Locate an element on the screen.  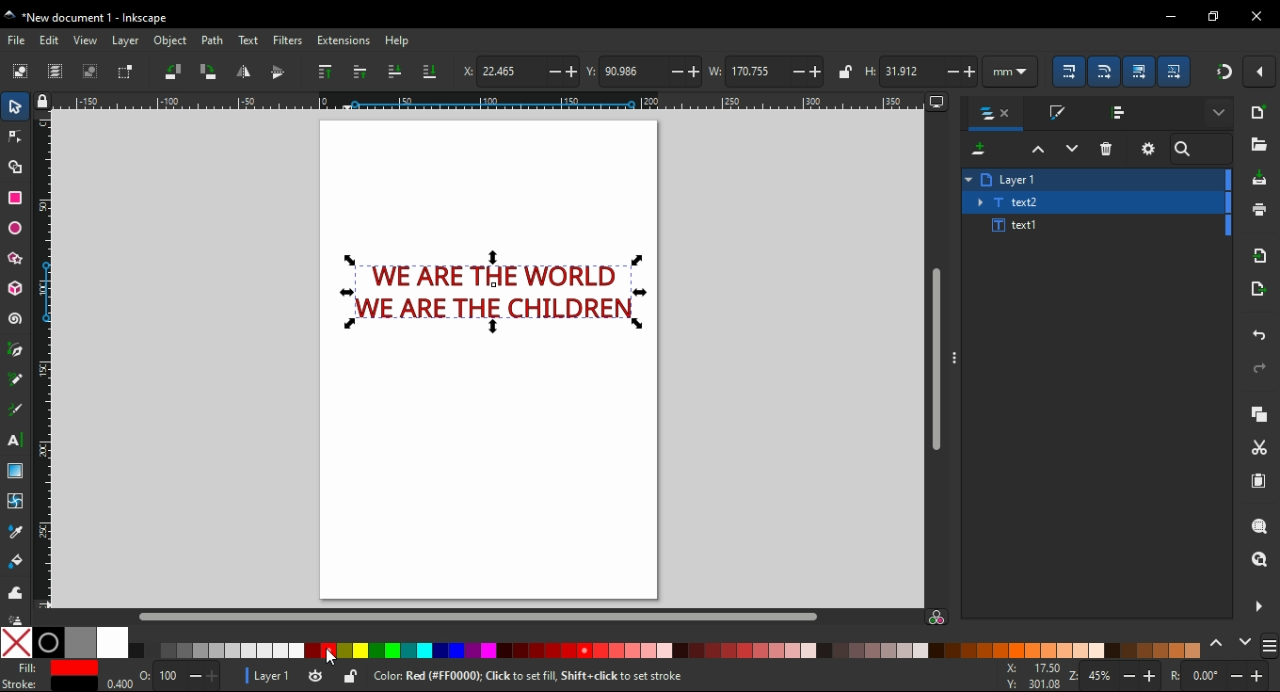
white is located at coordinates (114, 643).